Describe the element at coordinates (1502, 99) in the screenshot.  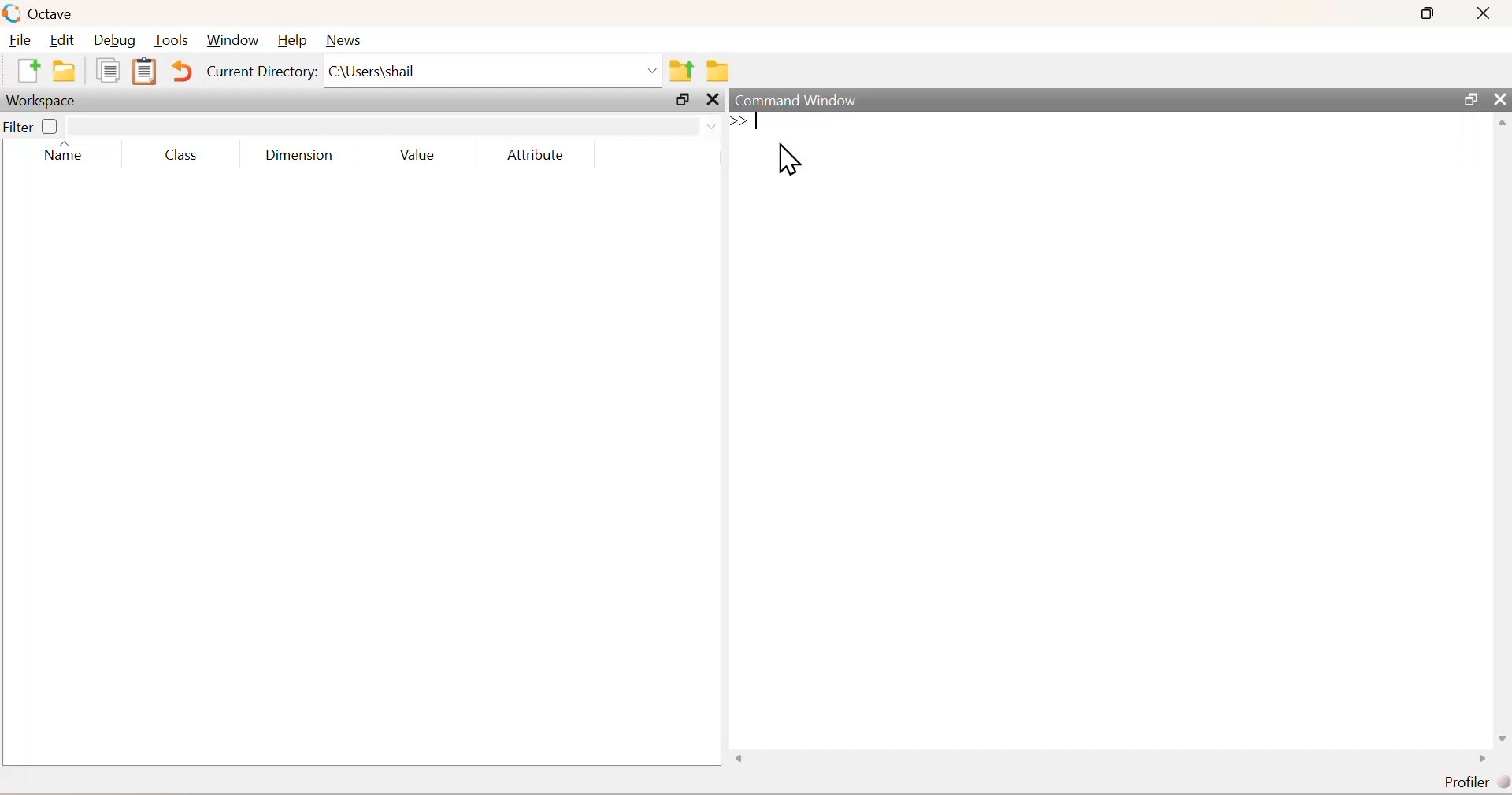
I see `close` at that location.